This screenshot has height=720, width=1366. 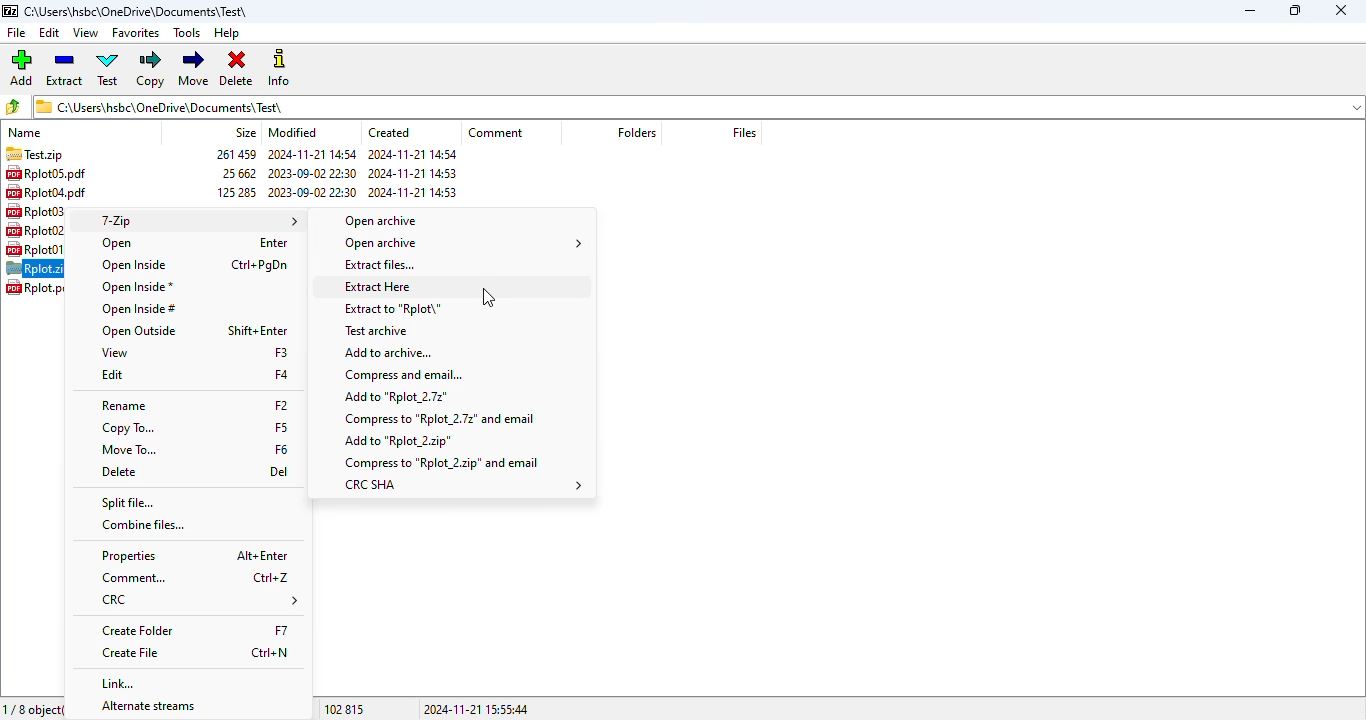 I want to click on copy to, so click(x=127, y=428).